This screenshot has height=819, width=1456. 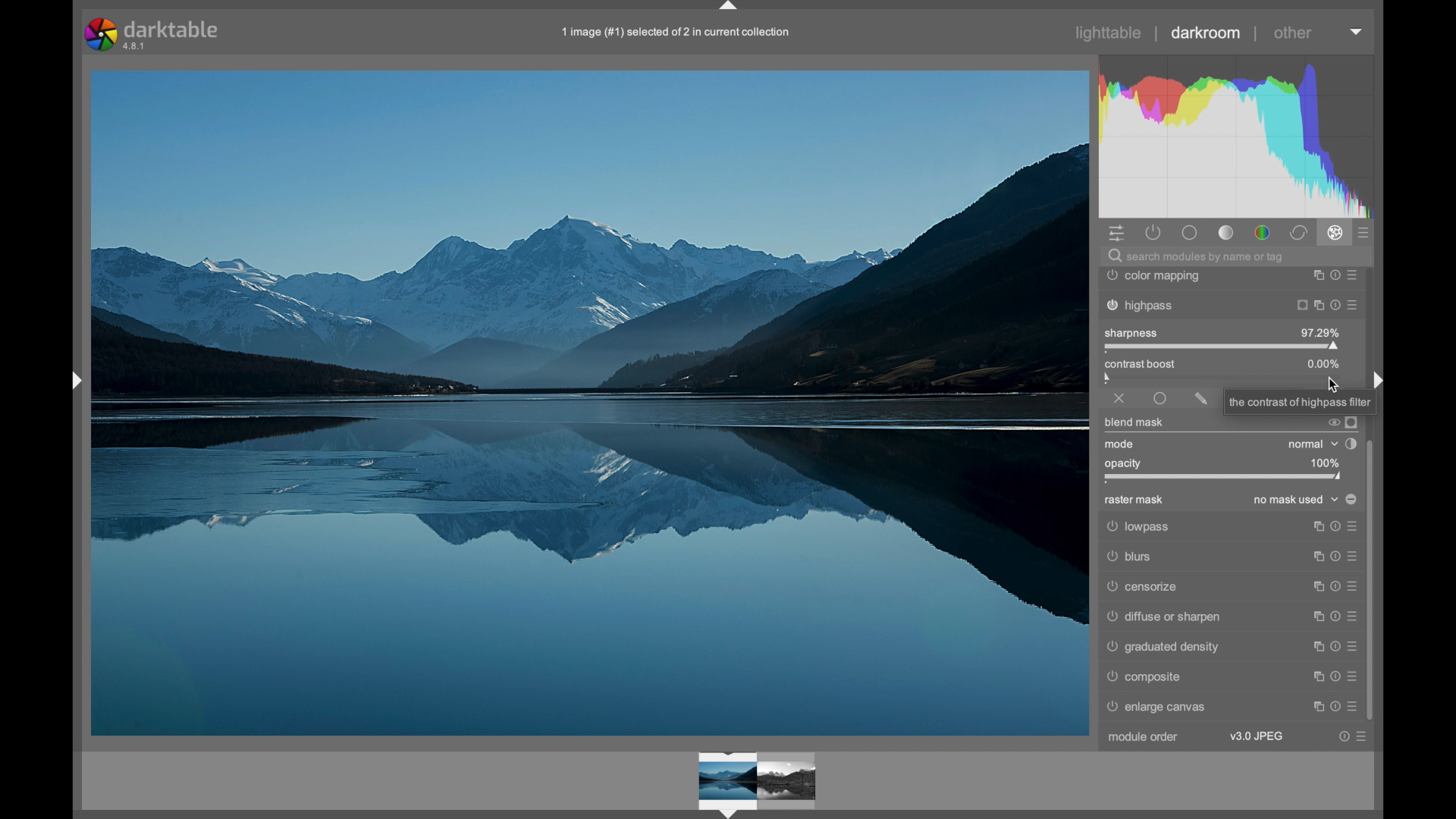 What do you see at coordinates (1292, 33) in the screenshot?
I see `other` at bounding box center [1292, 33].